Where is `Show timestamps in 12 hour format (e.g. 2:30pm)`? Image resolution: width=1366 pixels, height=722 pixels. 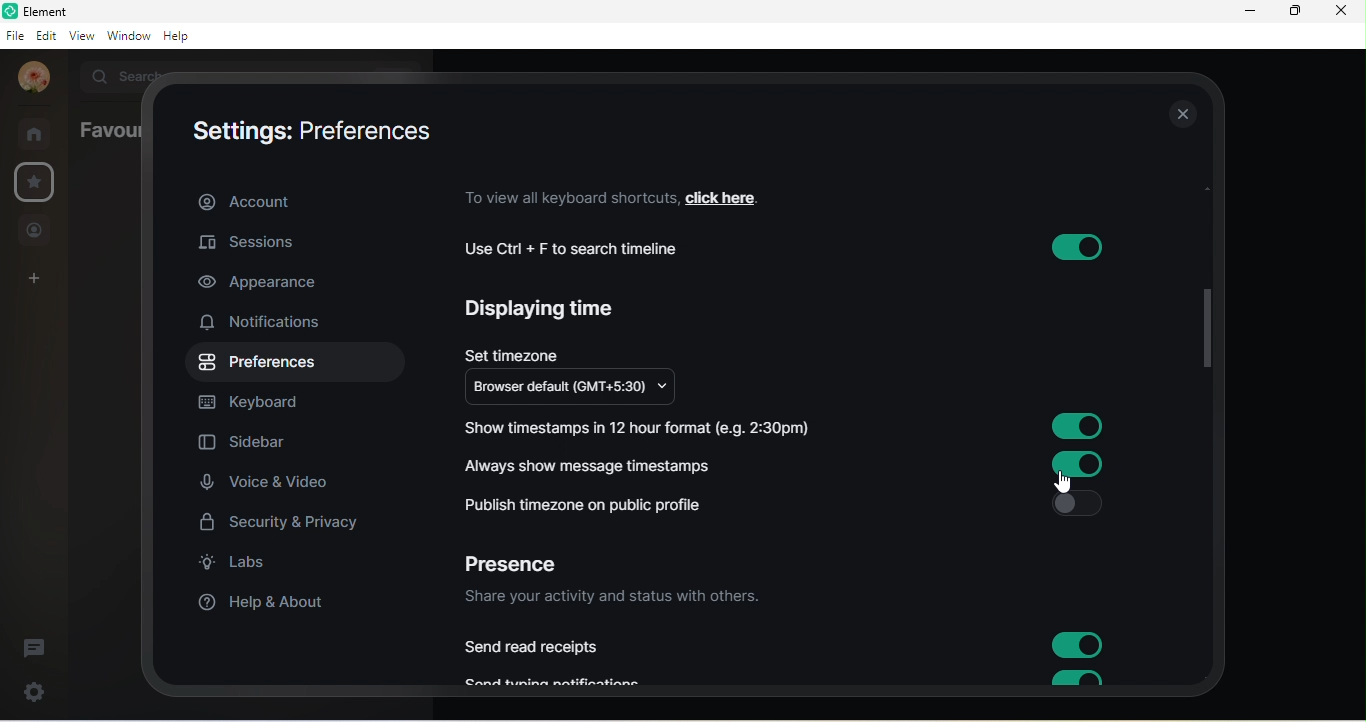 Show timestamps in 12 hour format (e.g. 2:30pm) is located at coordinates (646, 426).